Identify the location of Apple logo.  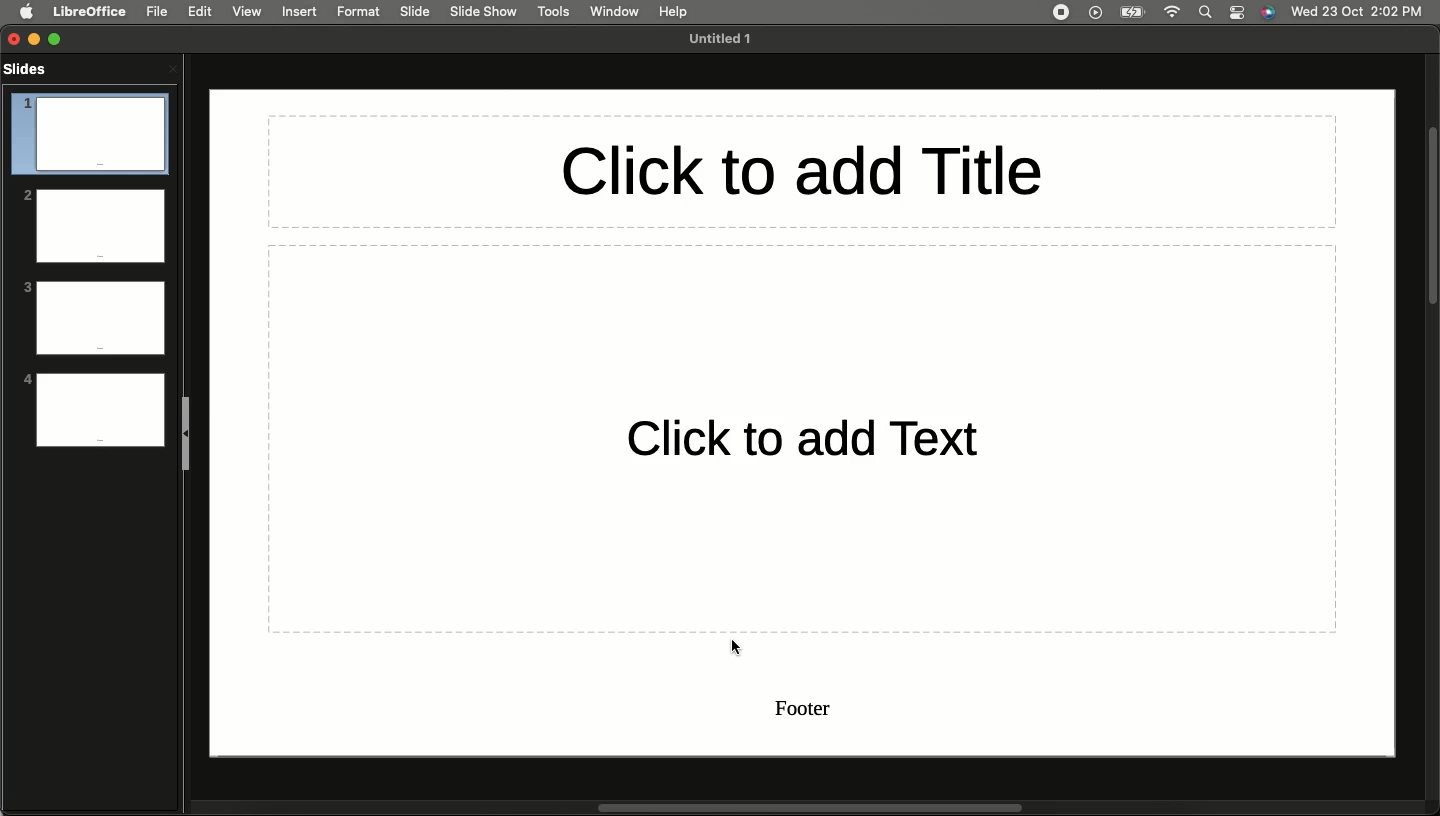
(27, 12).